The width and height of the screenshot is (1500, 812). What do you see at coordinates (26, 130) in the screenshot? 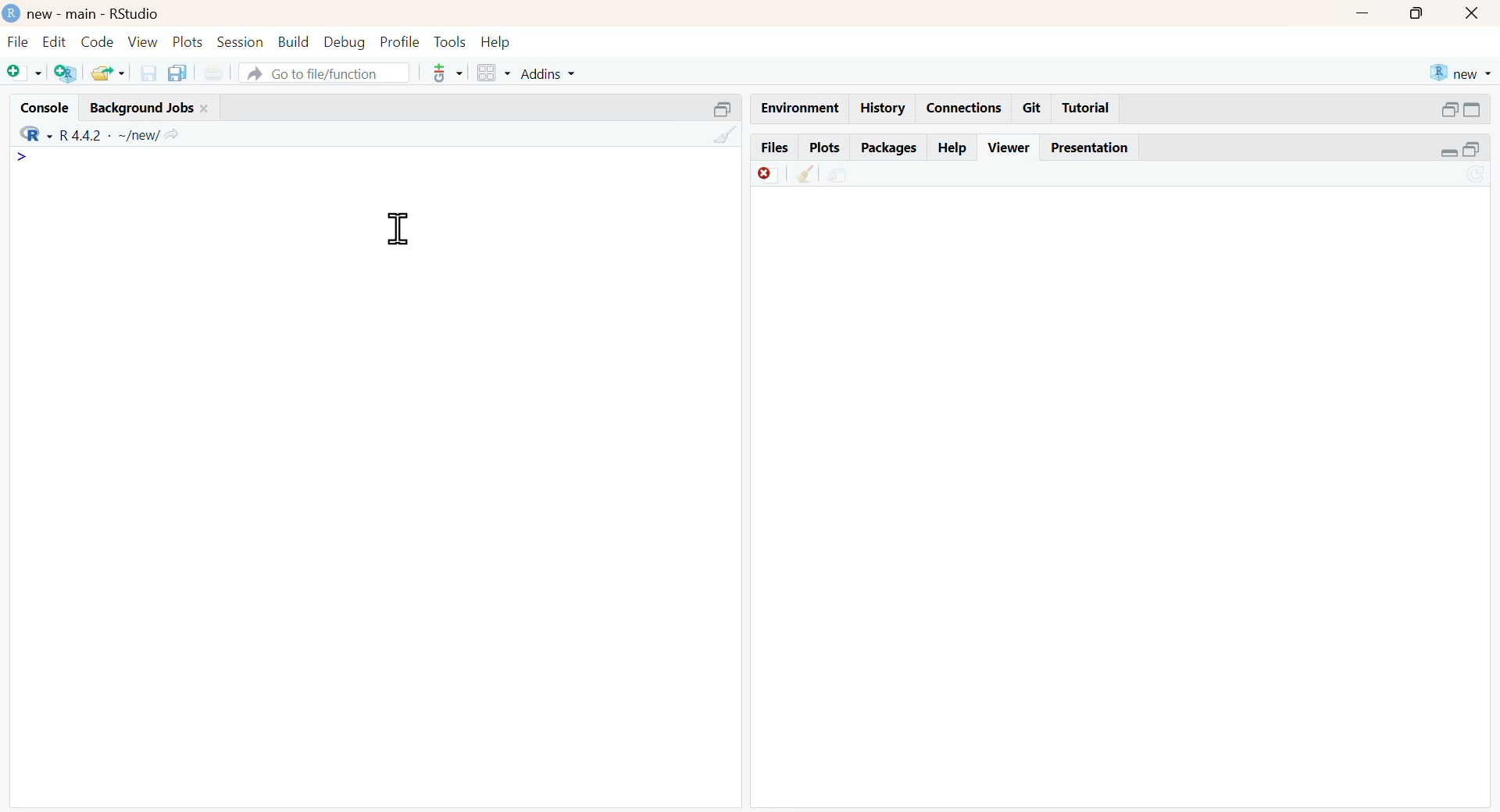
I see `R dropdown` at bounding box center [26, 130].